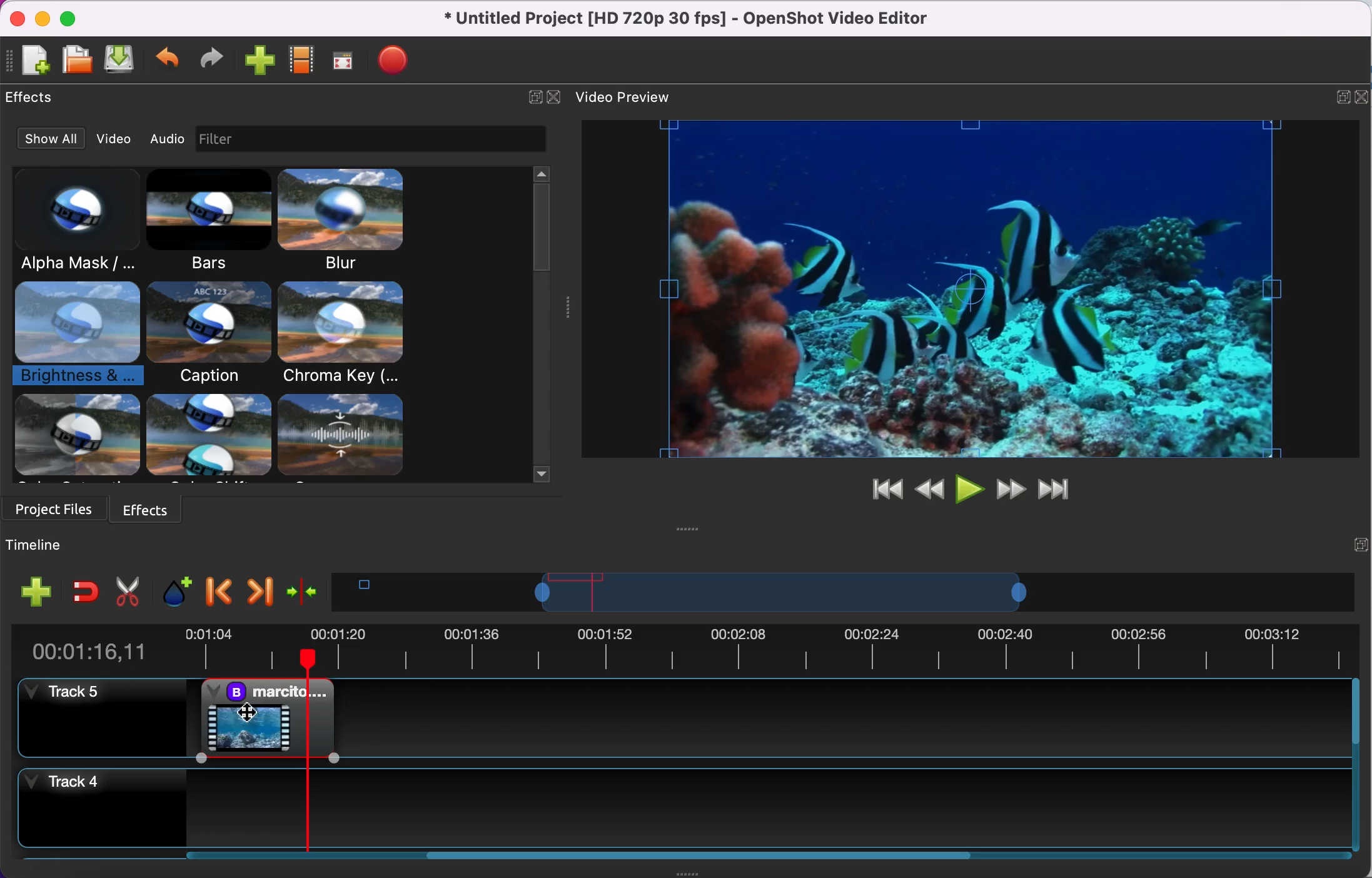 The width and height of the screenshot is (1372, 878). Describe the element at coordinates (628, 96) in the screenshot. I see `video preview` at that location.